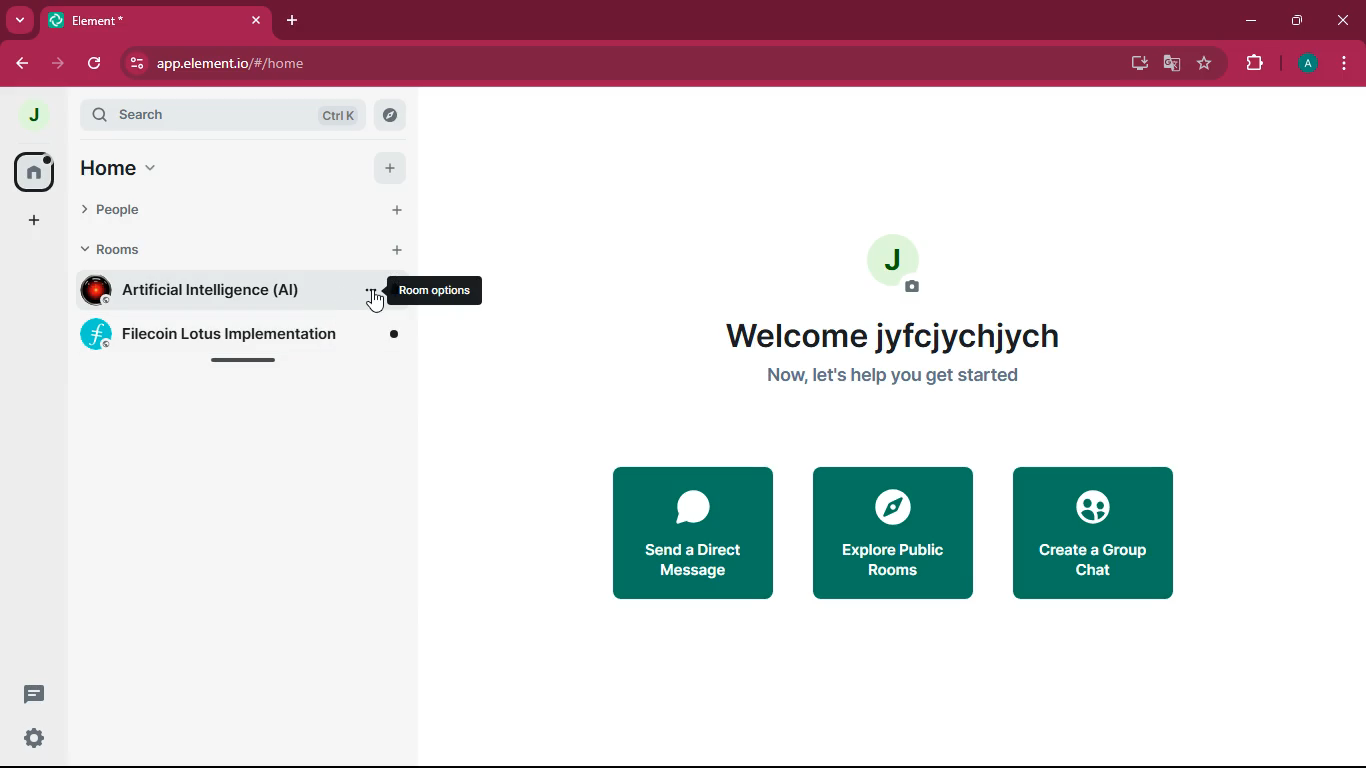  What do you see at coordinates (1254, 65) in the screenshot?
I see `extensions` at bounding box center [1254, 65].